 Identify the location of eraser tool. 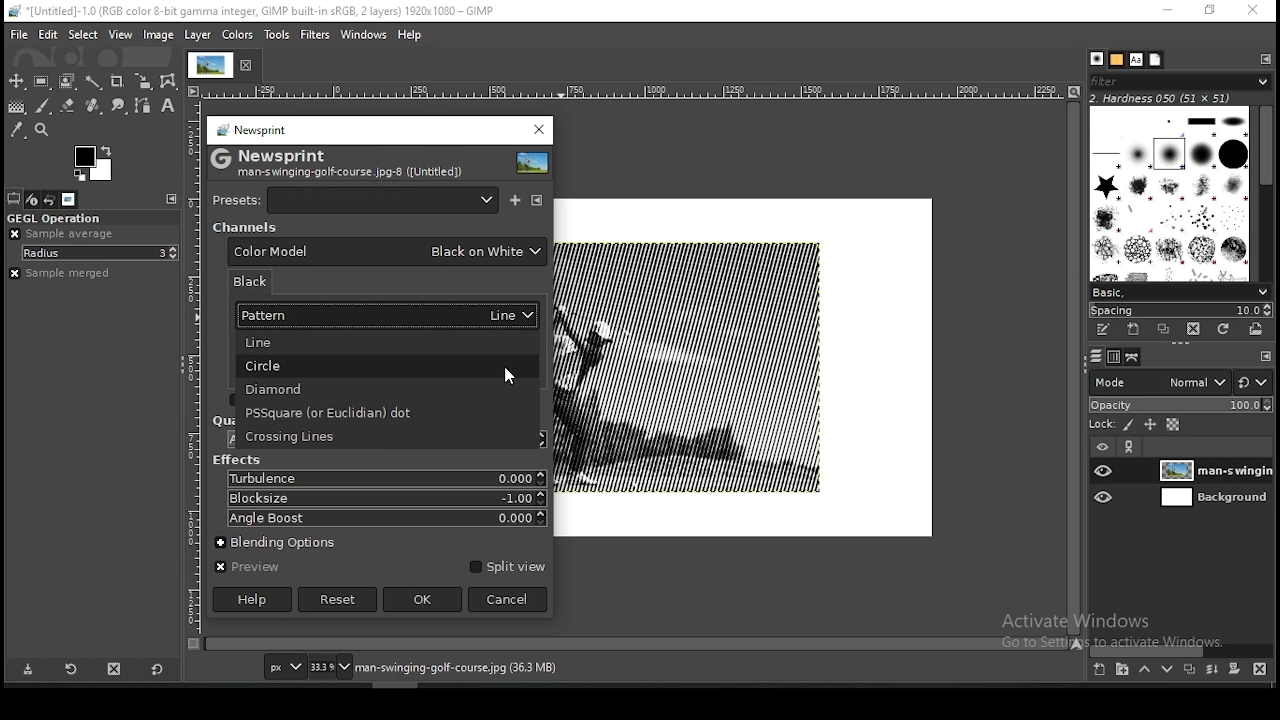
(68, 107).